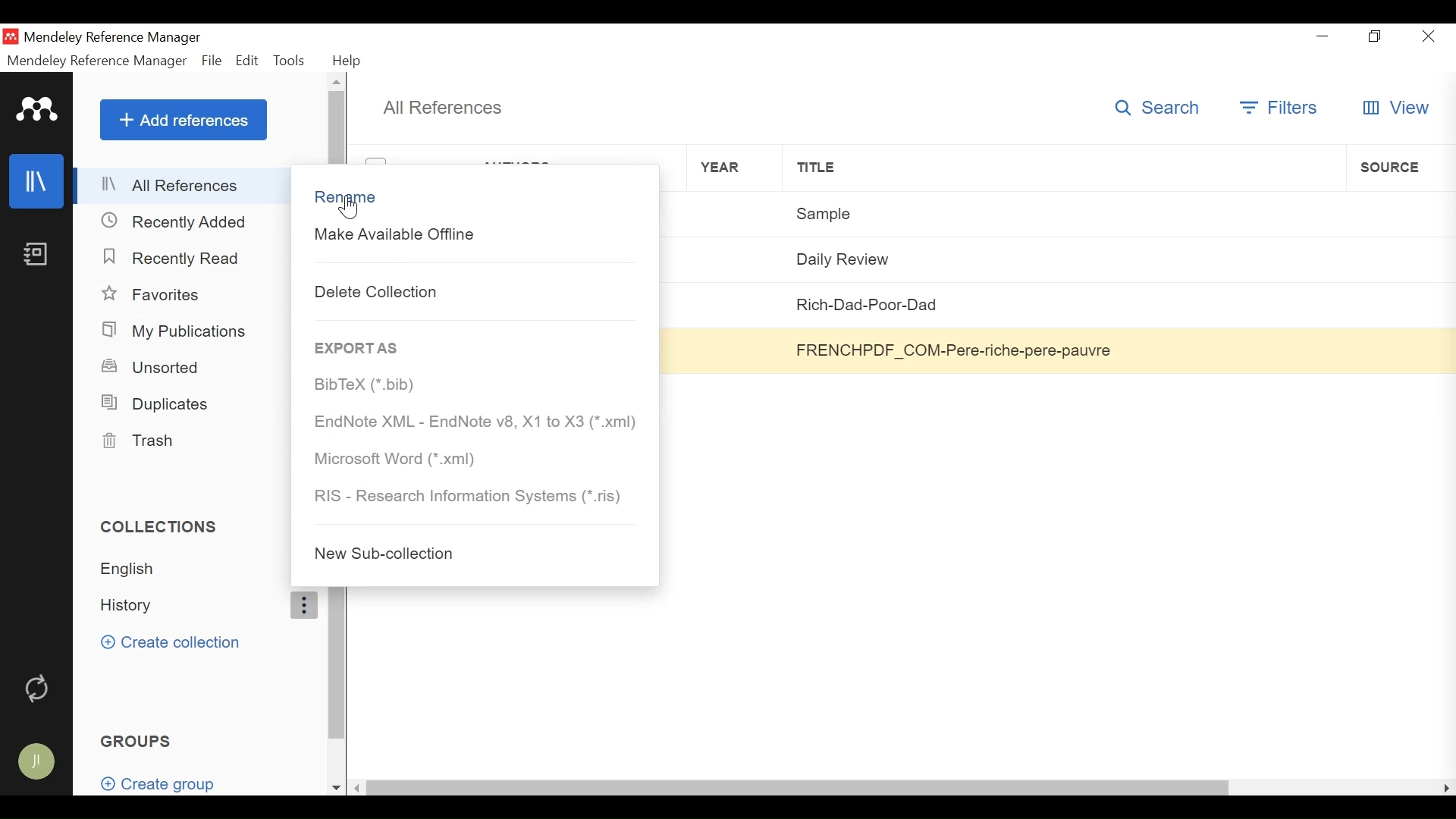  Describe the element at coordinates (143, 441) in the screenshot. I see `Trash` at that location.